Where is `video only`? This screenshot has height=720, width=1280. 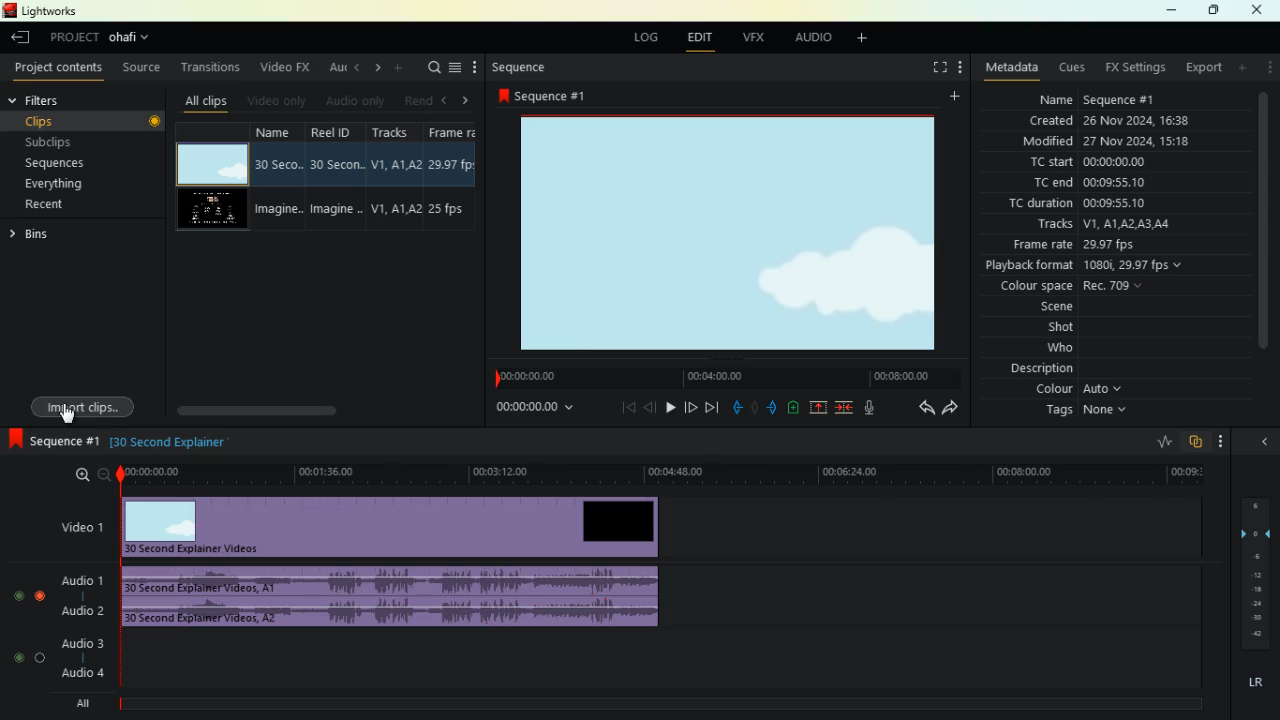 video only is located at coordinates (279, 101).